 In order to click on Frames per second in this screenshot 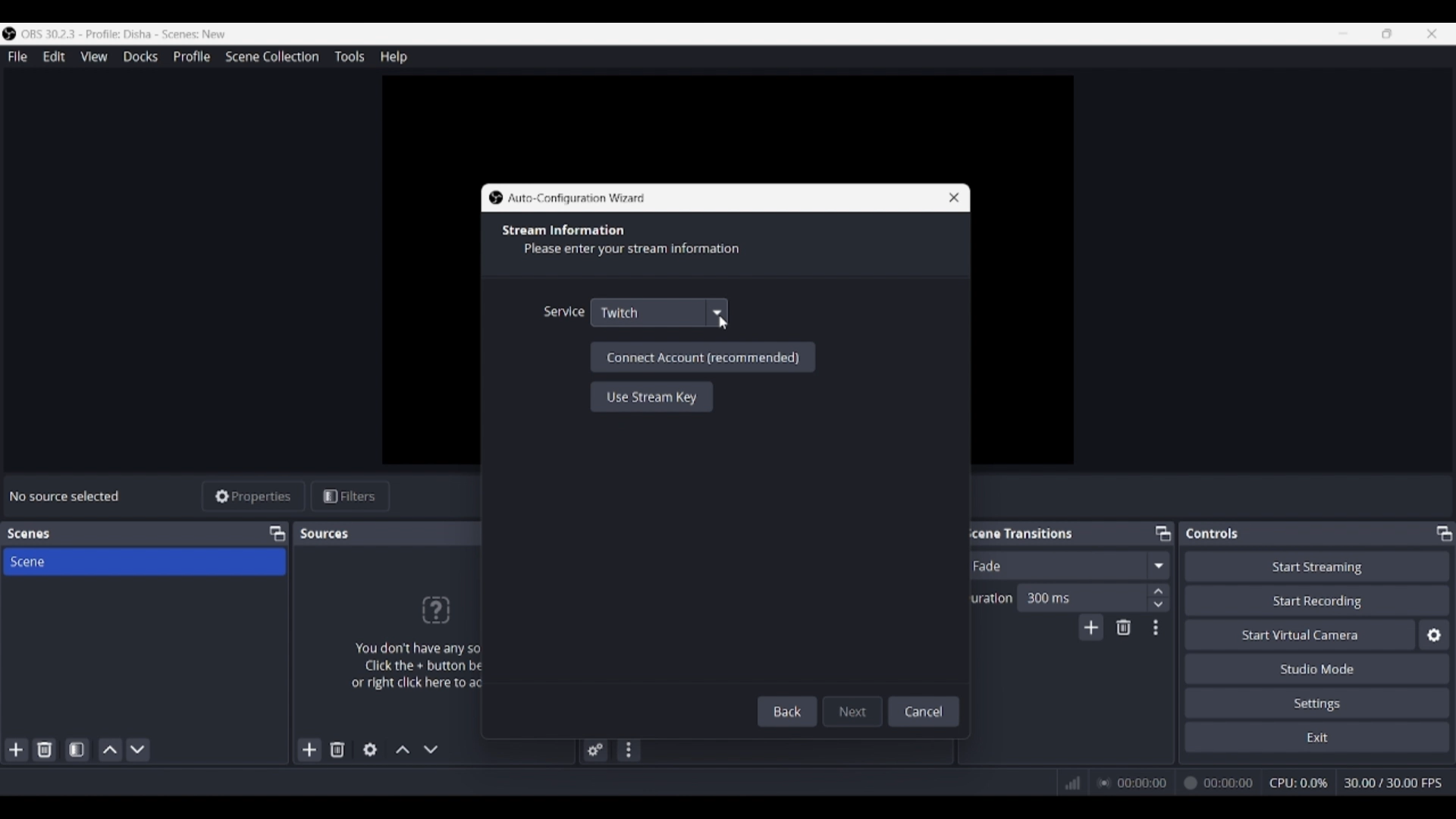, I will do `click(1393, 783)`.